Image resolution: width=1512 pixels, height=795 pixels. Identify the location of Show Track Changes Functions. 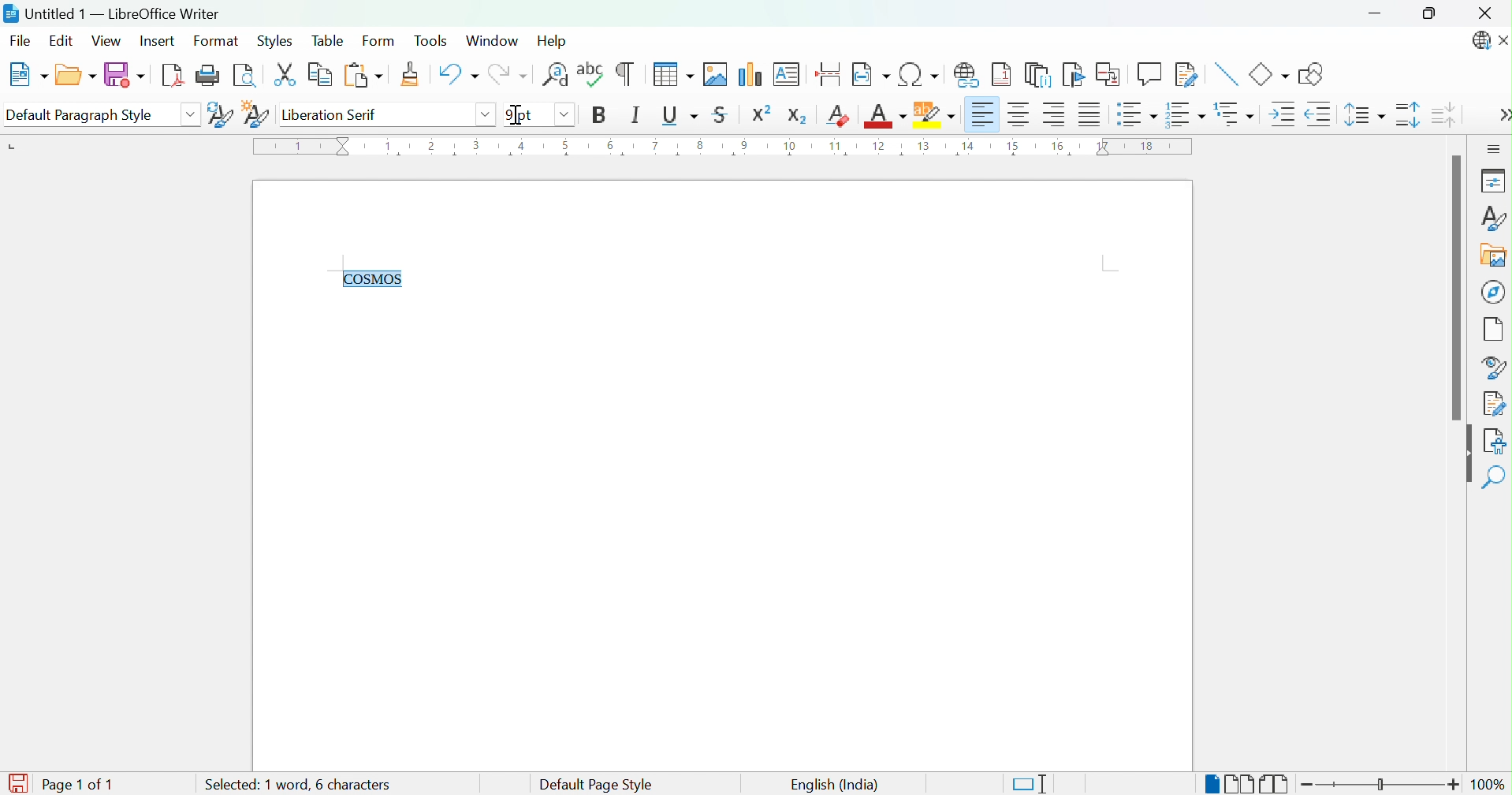
(1187, 75).